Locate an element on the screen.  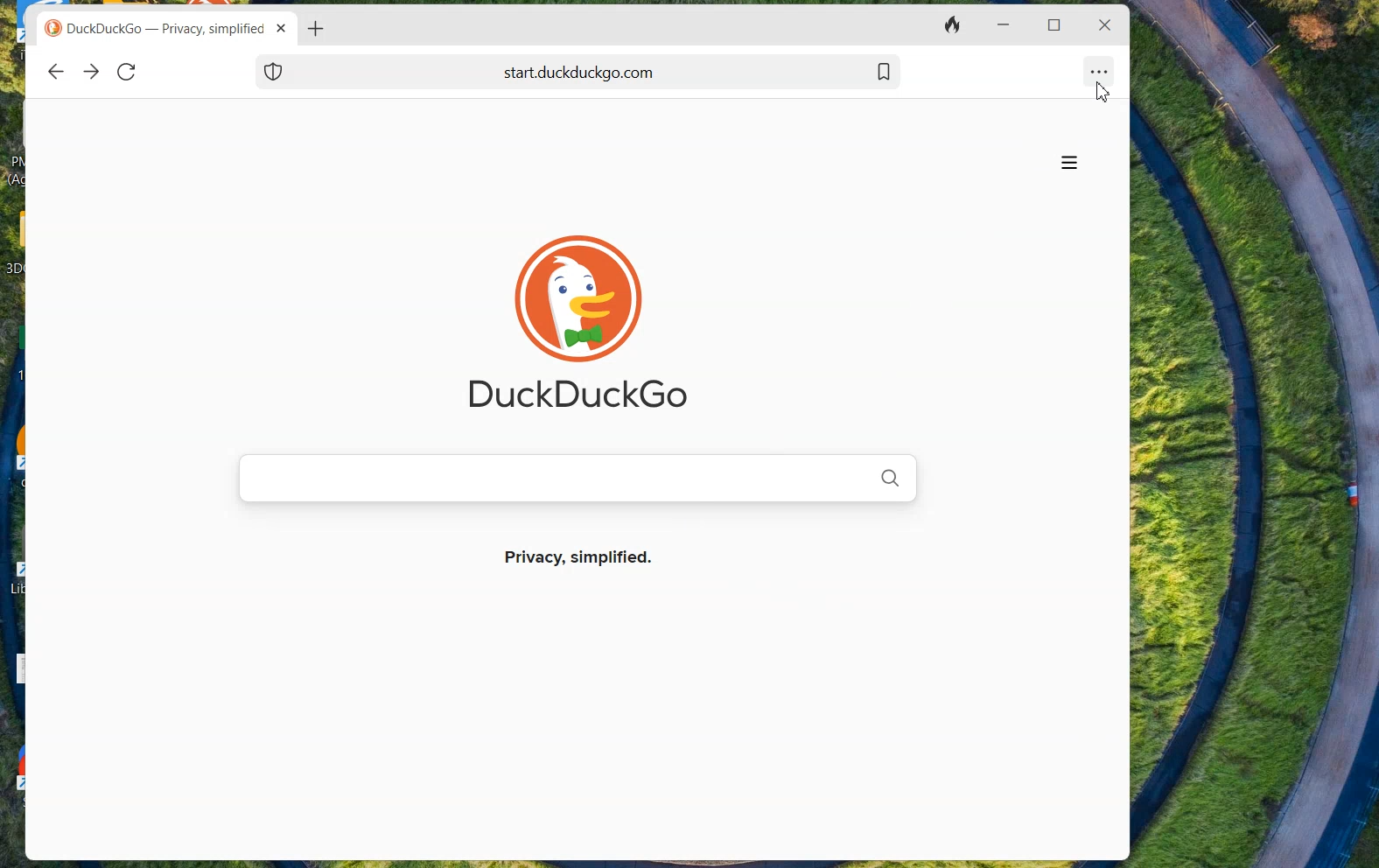
DuckDuckGo is located at coordinates (584, 395).